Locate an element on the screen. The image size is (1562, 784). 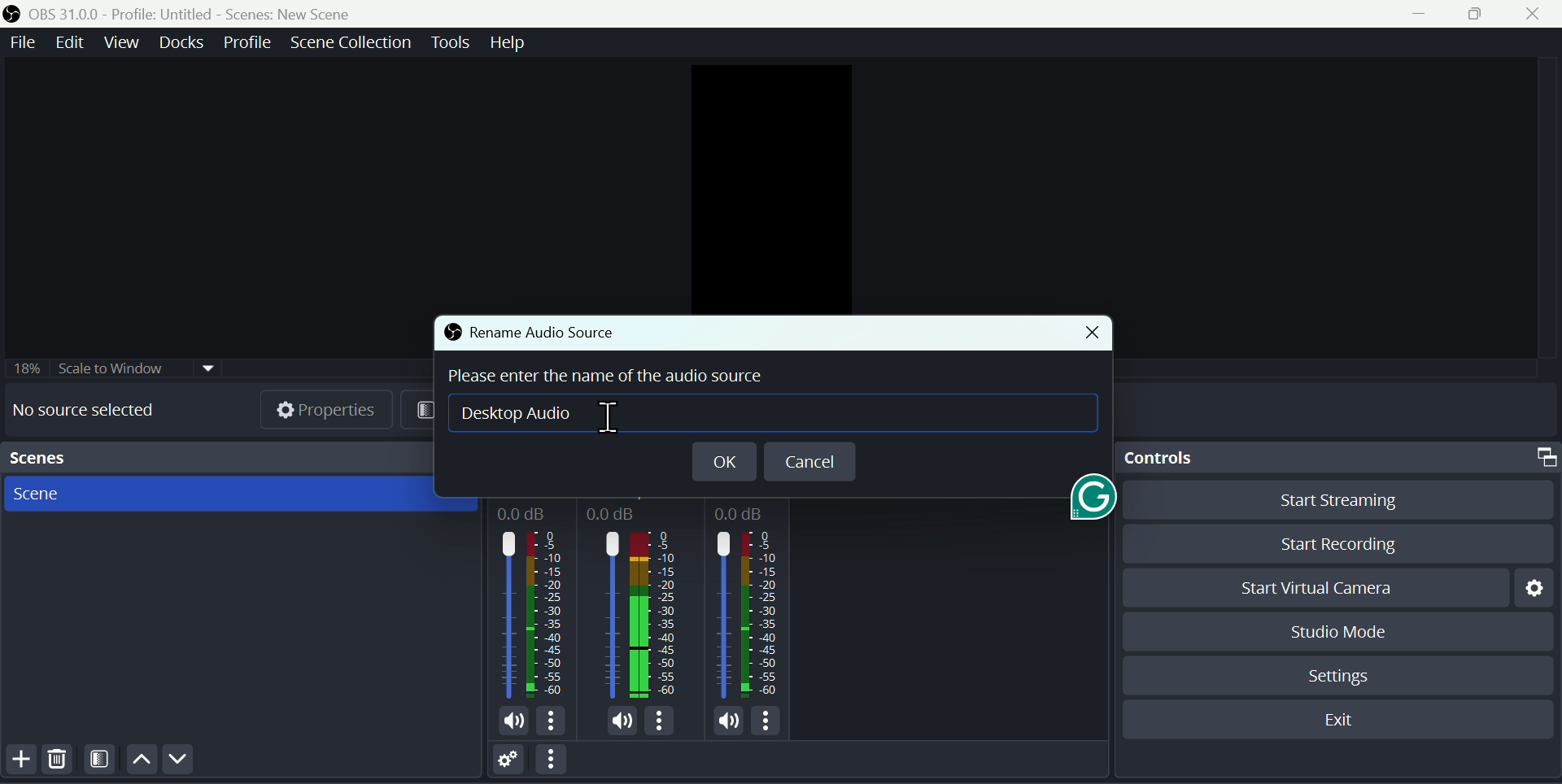
Delete is located at coordinates (59, 761).